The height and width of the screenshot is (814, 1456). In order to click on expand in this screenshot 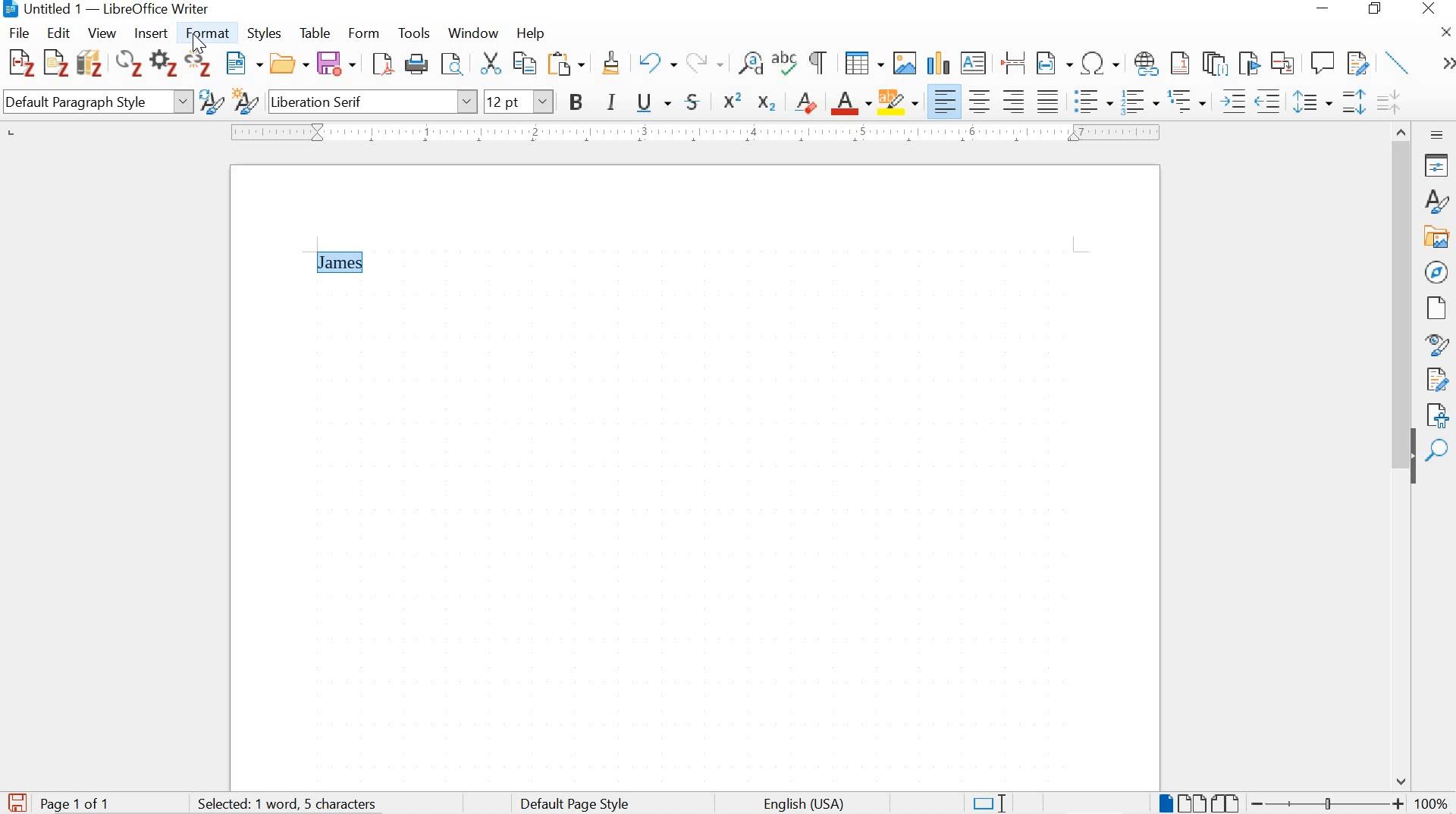, I will do `click(1445, 64)`.